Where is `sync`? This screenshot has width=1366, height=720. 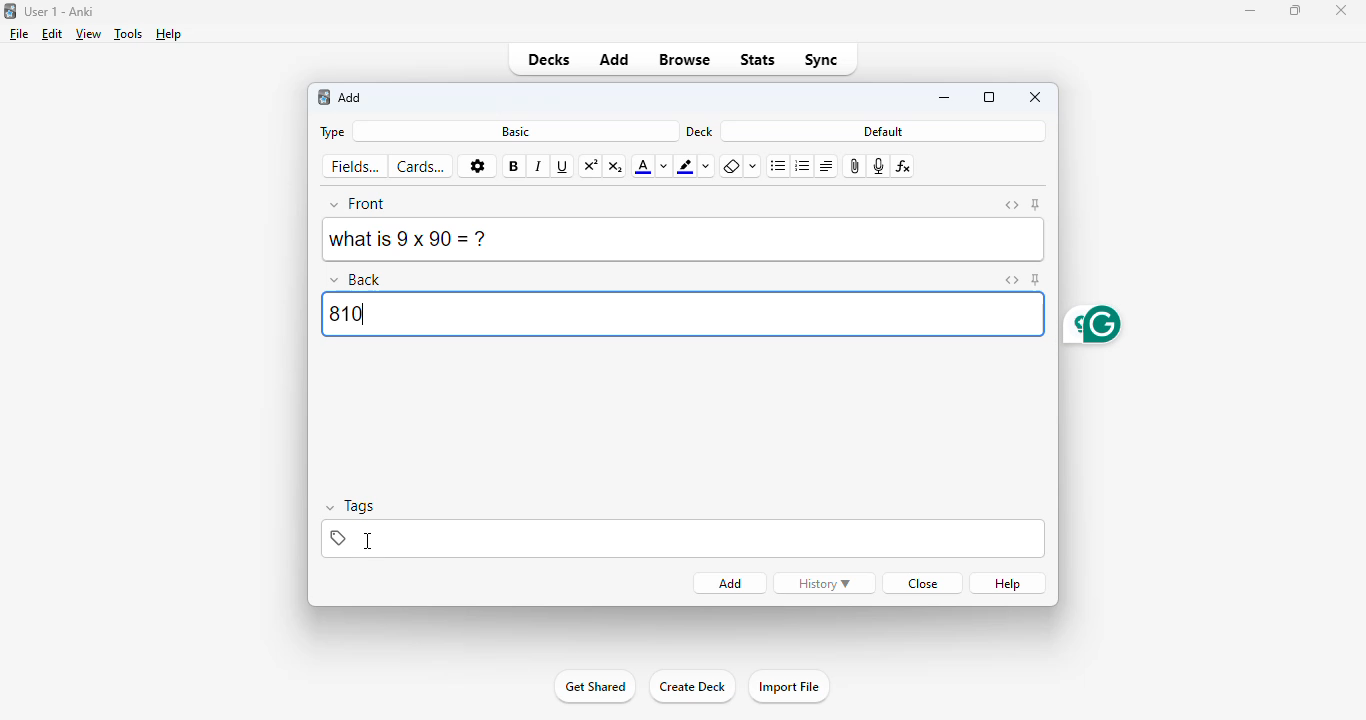 sync is located at coordinates (822, 59).